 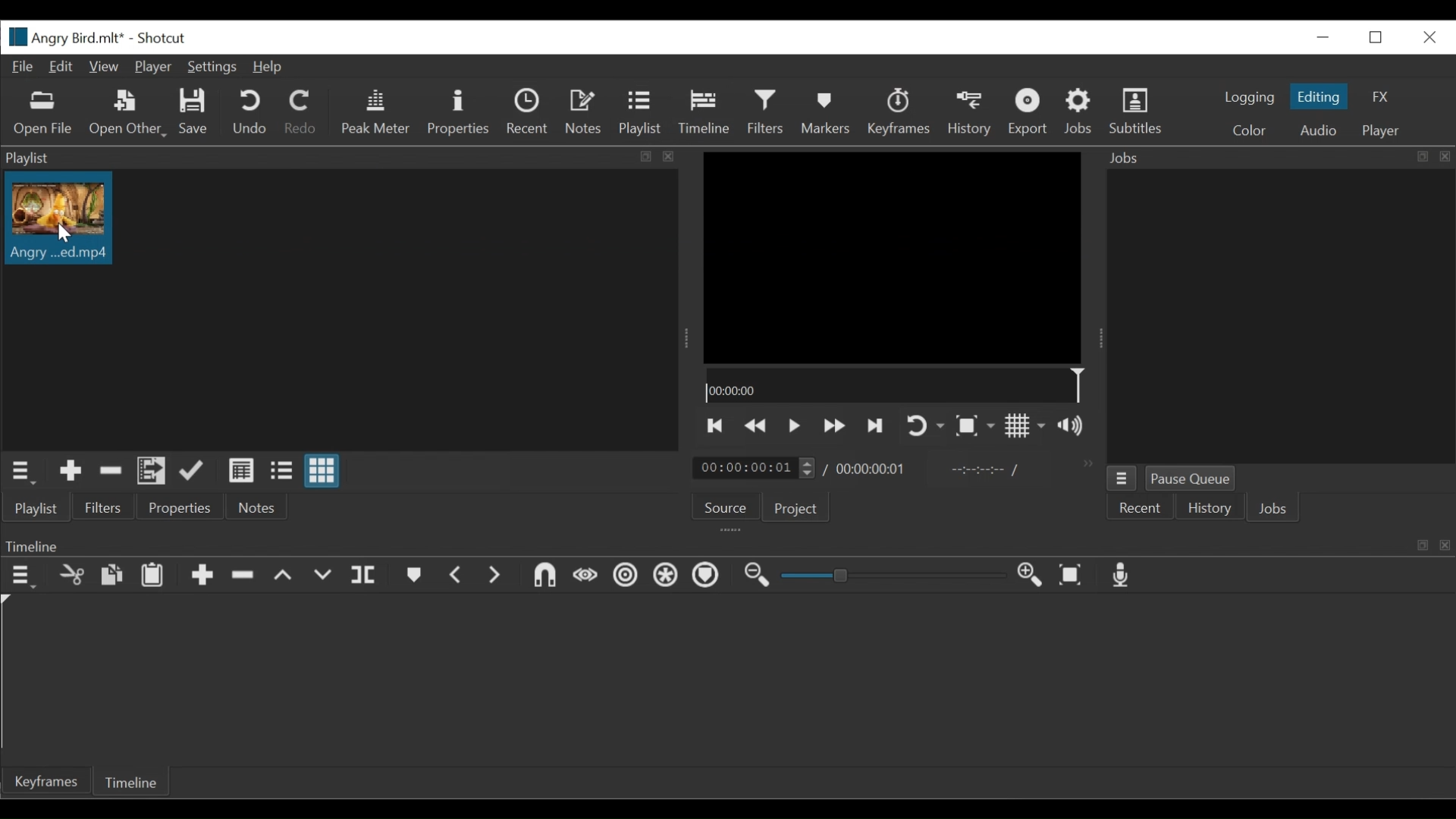 I want to click on Markers, so click(x=415, y=576).